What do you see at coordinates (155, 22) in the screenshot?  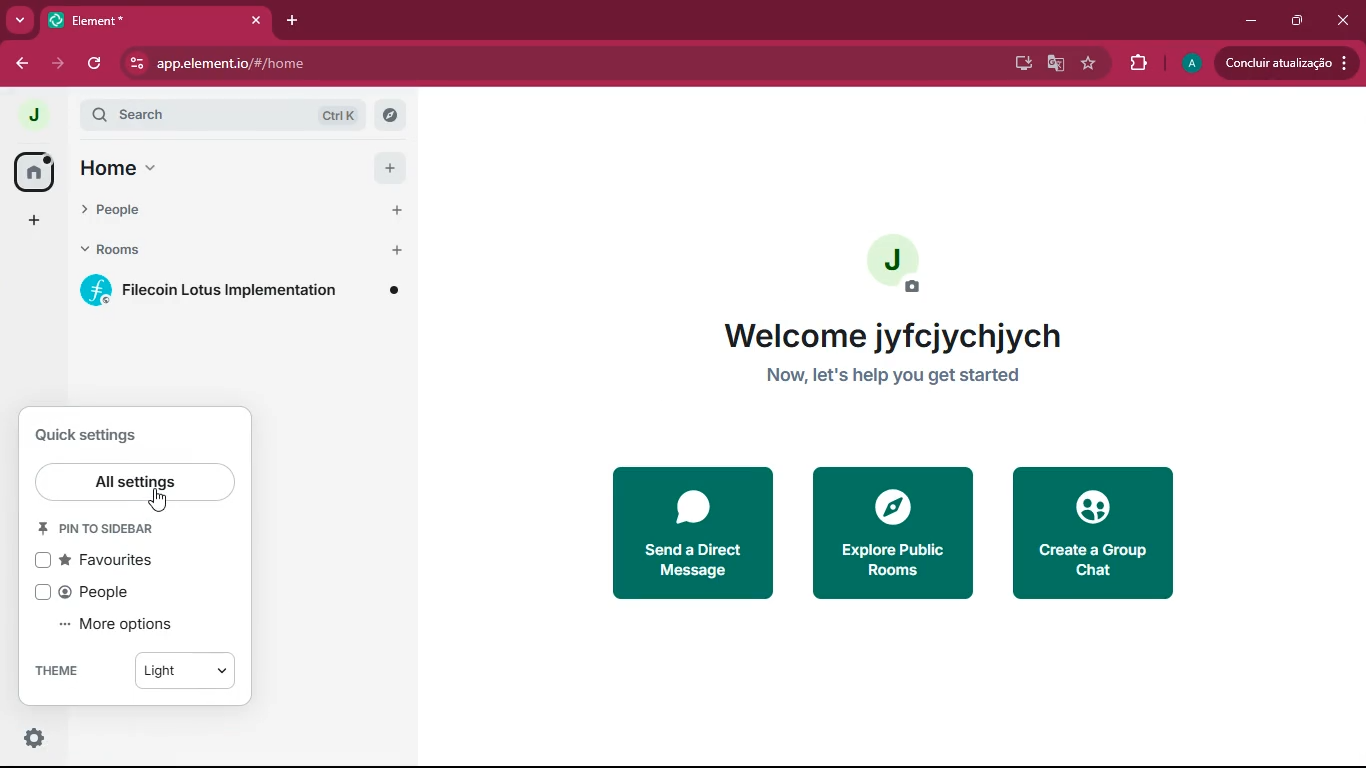 I see `element` at bounding box center [155, 22].